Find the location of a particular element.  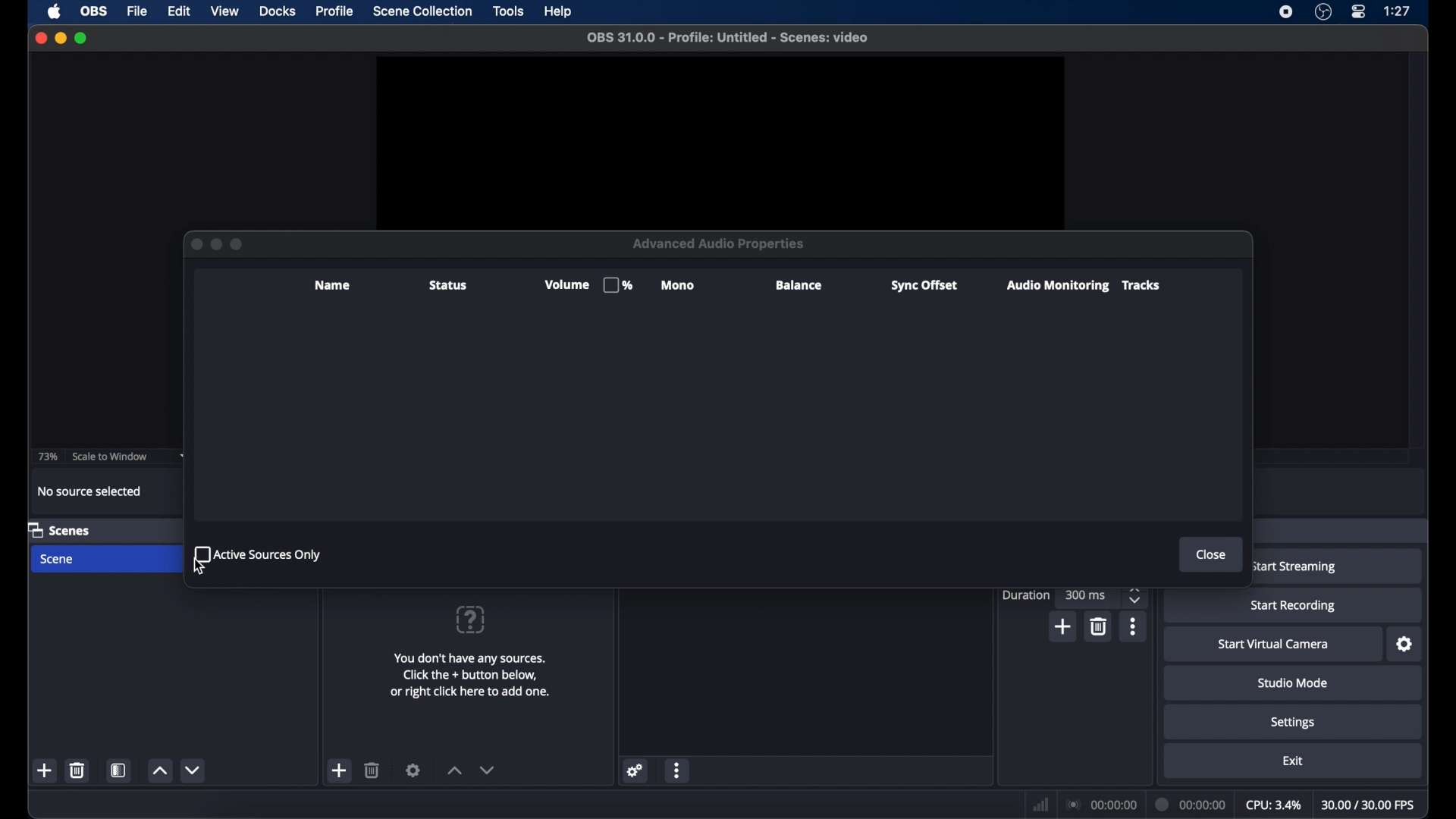

decrement is located at coordinates (488, 770).